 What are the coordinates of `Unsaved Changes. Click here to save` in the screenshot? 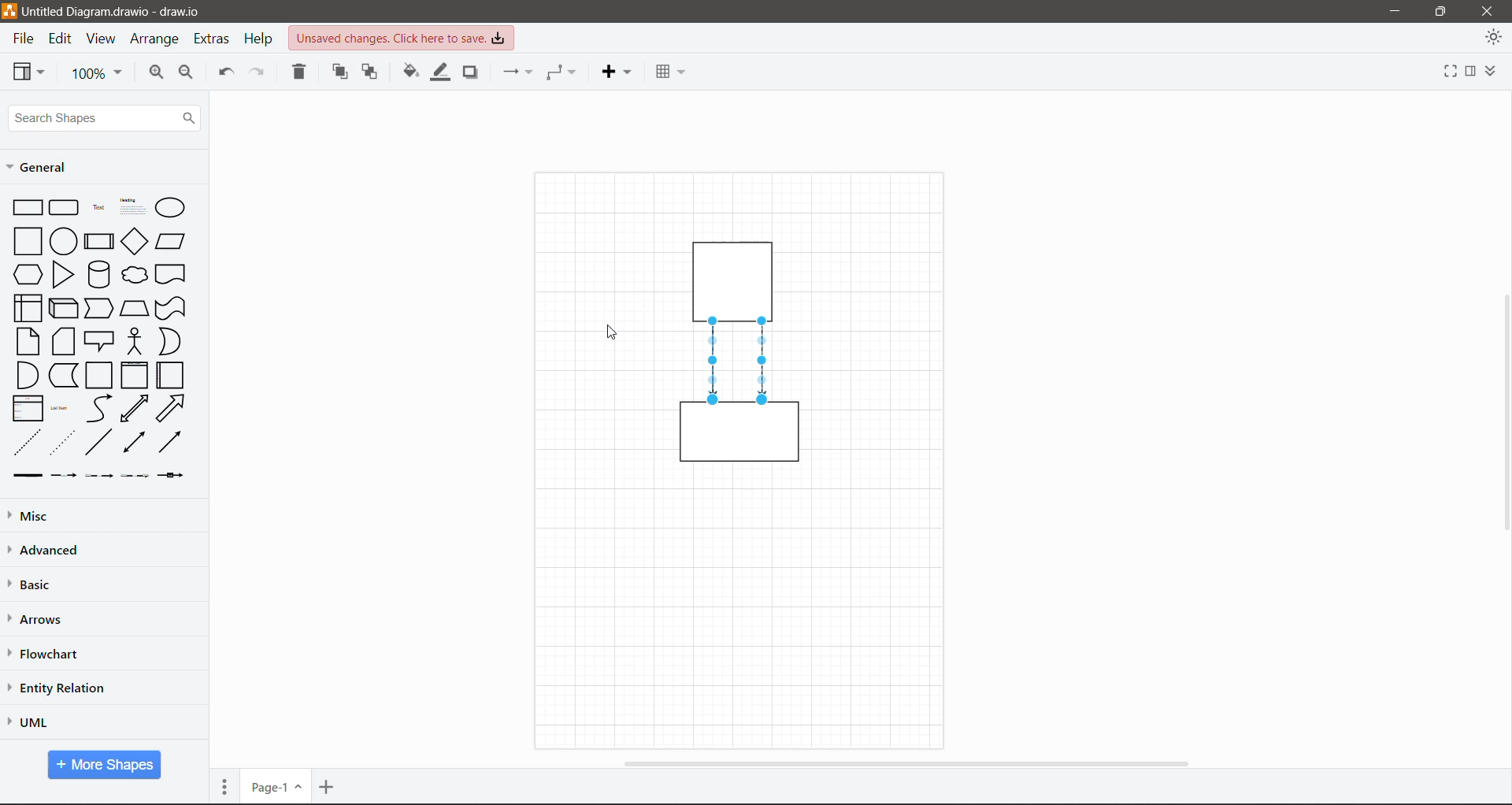 It's located at (402, 38).